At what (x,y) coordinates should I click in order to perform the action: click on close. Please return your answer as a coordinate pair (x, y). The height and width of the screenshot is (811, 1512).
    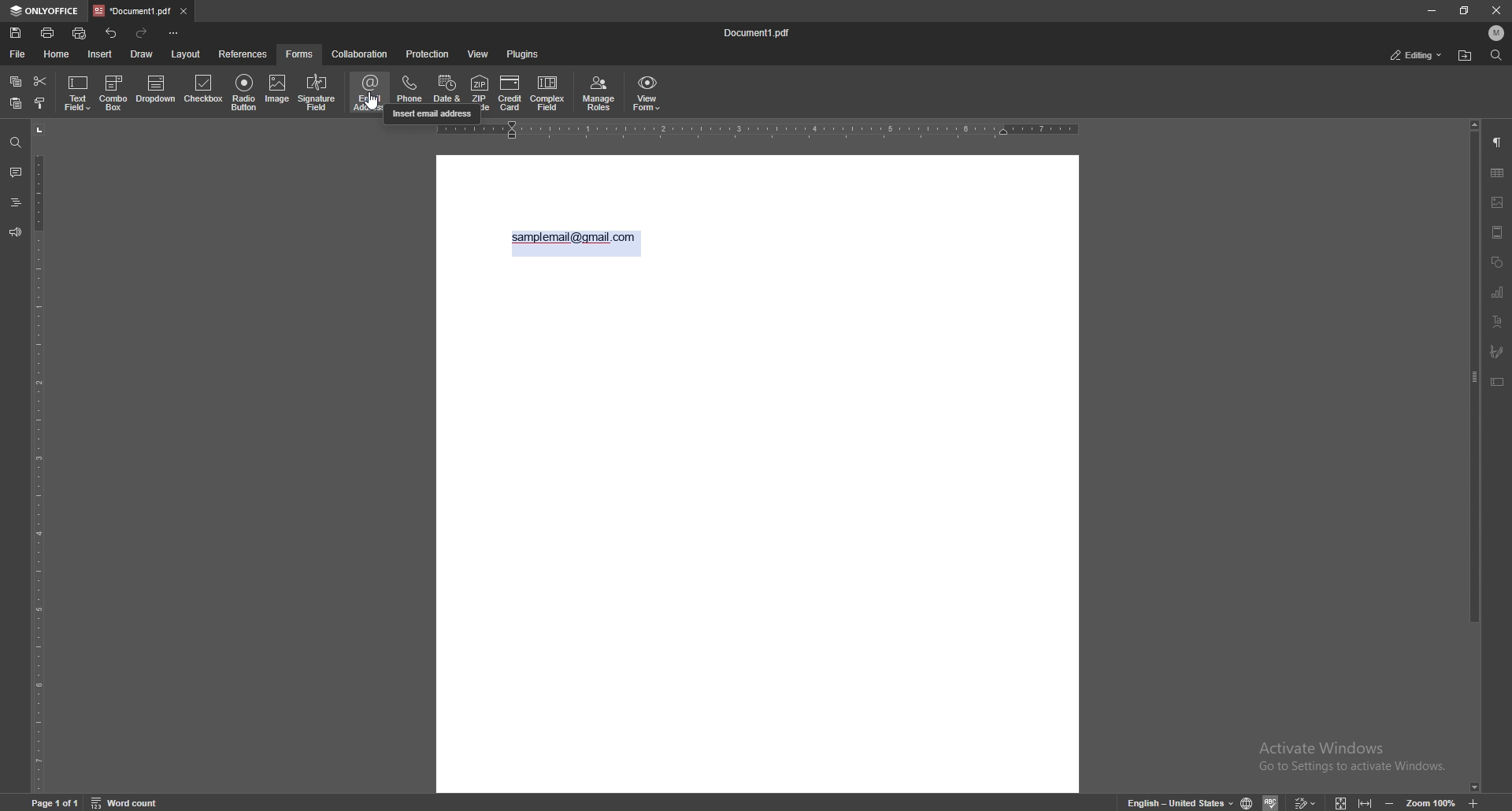
    Looking at the image, I should click on (1495, 10).